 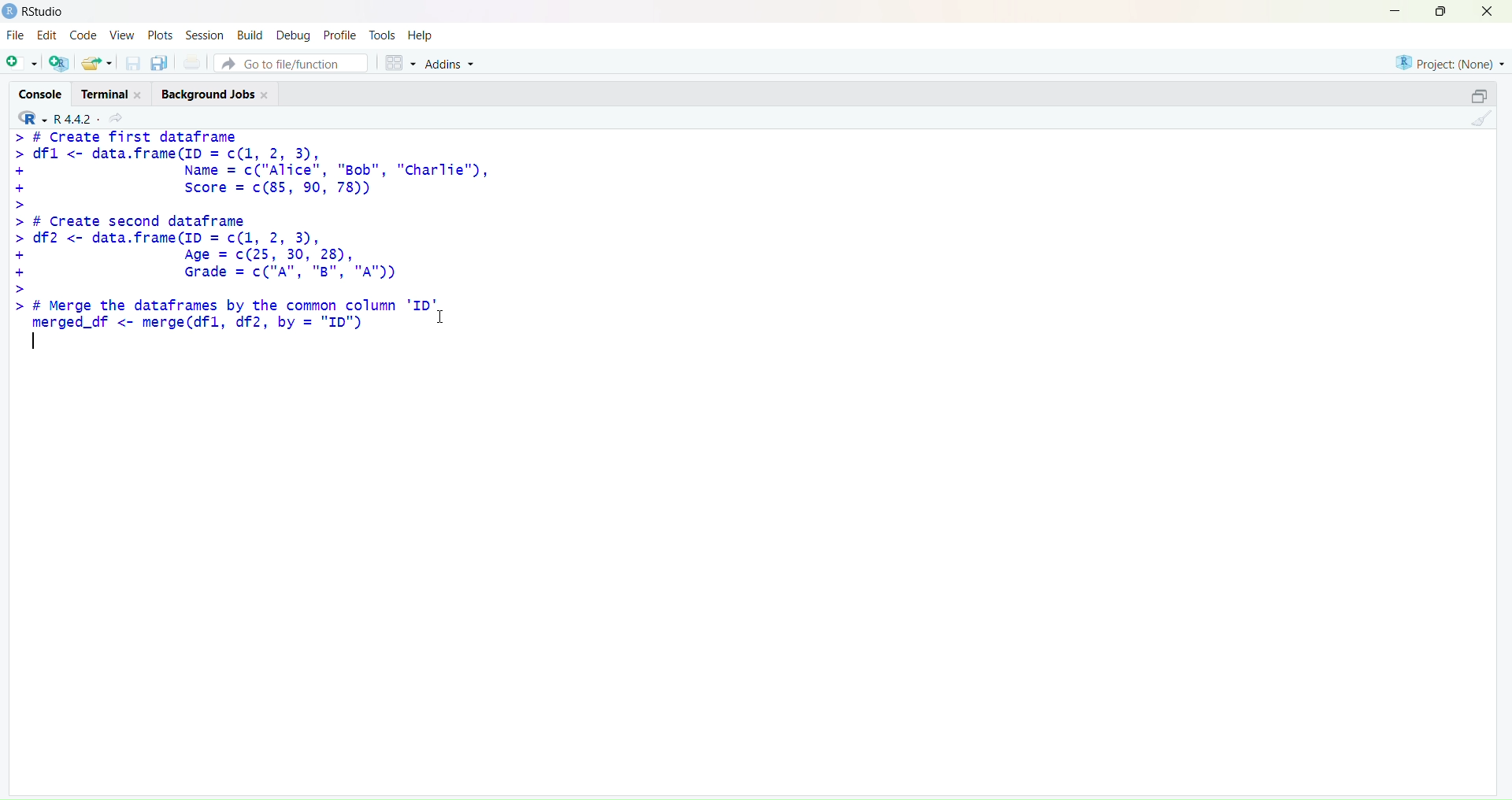 What do you see at coordinates (1392, 11) in the screenshot?
I see `minimize` at bounding box center [1392, 11].